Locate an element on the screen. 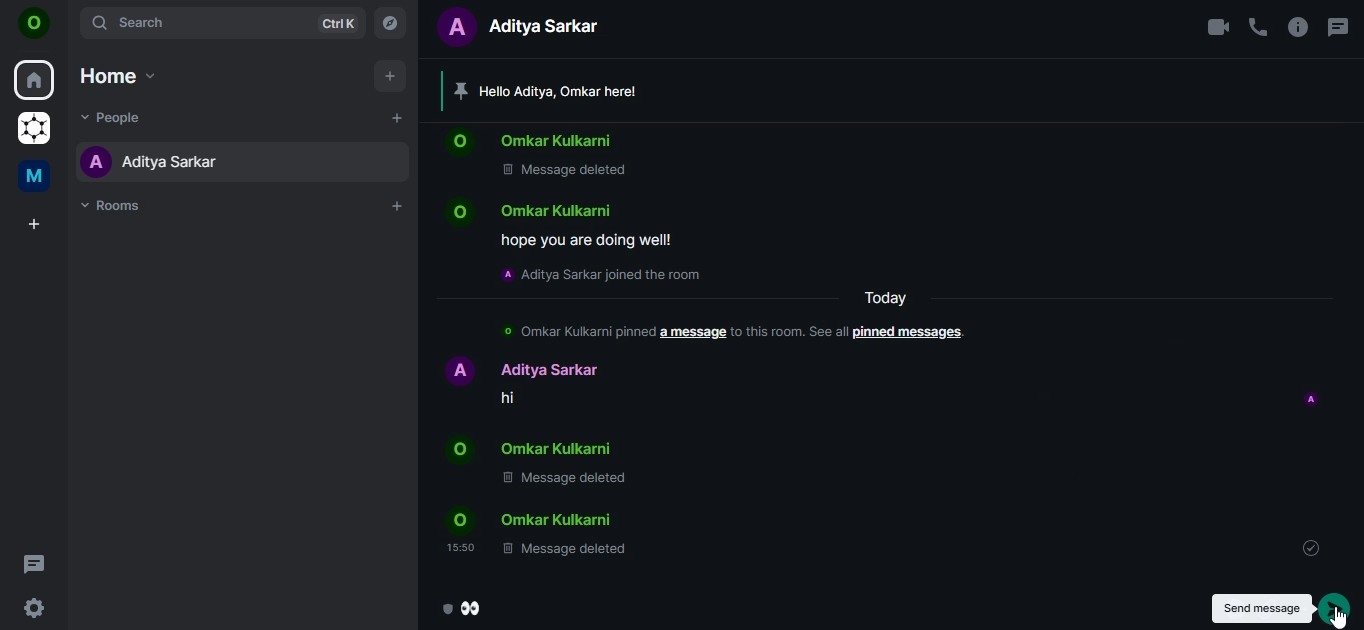 The image size is (1364, 630). on is located at coordinates (38, 24).